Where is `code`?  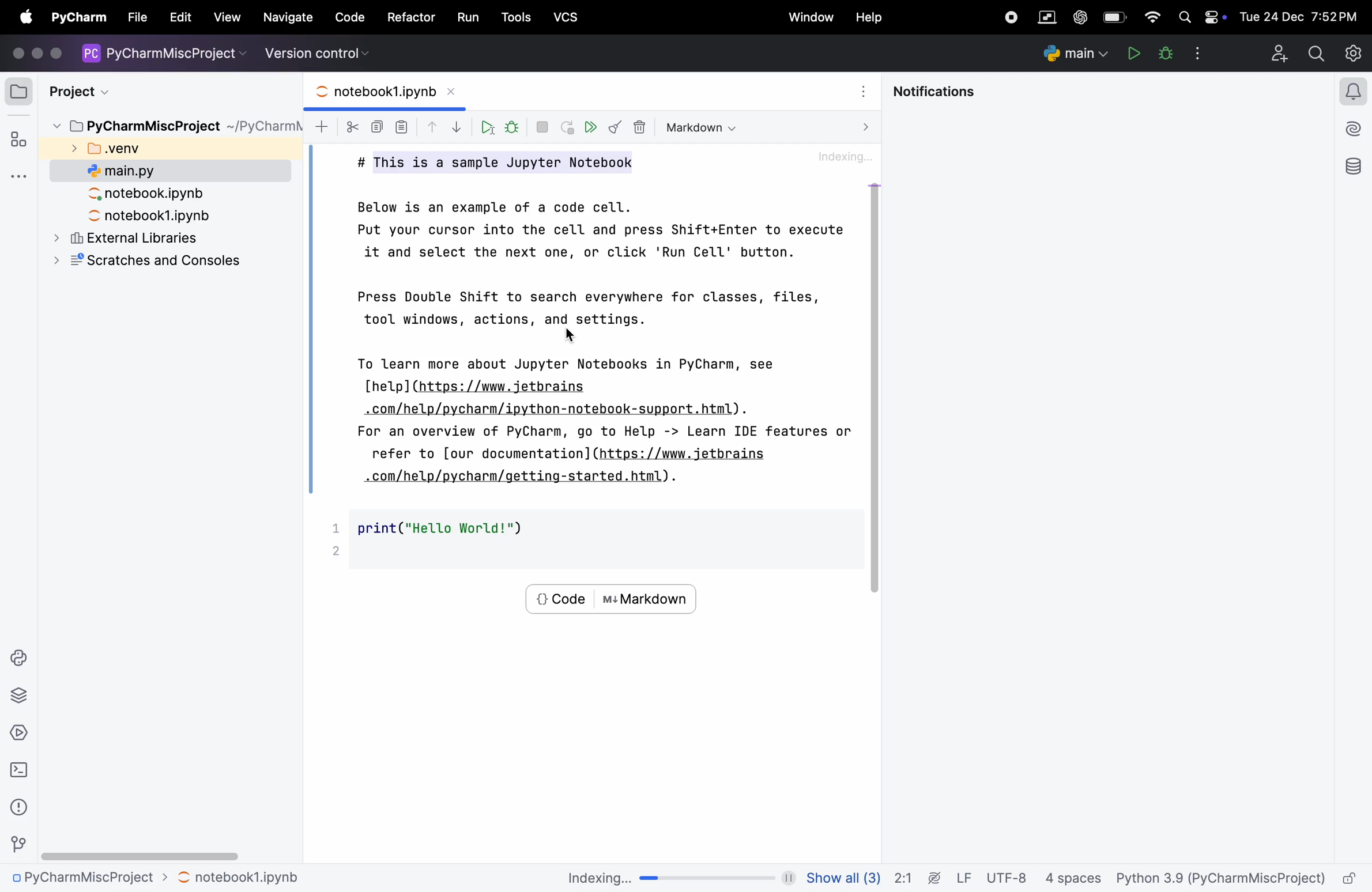 code is located at coordinates (353, 17).